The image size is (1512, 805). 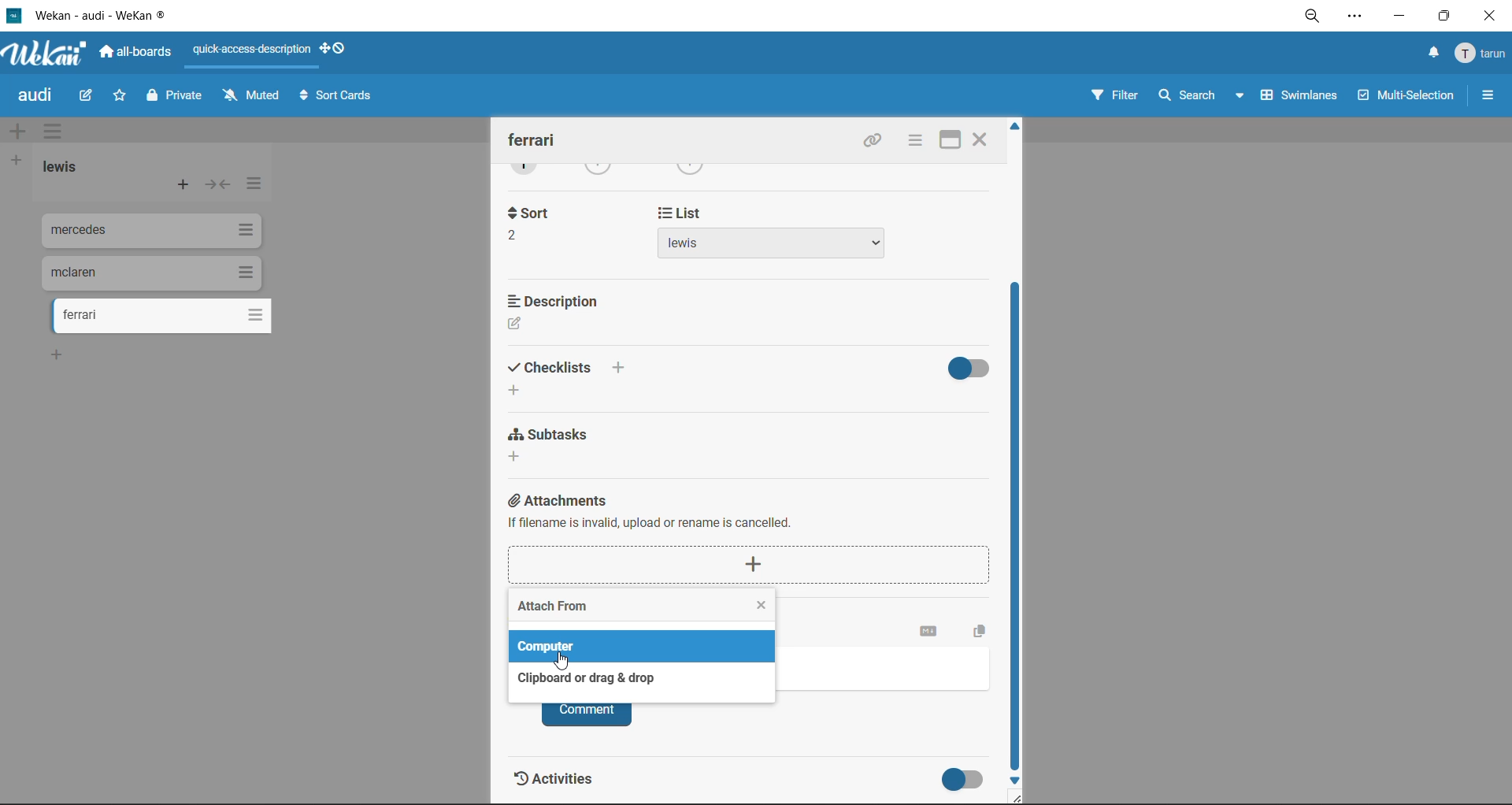 I want to click on list, so click(x=770, y=239).